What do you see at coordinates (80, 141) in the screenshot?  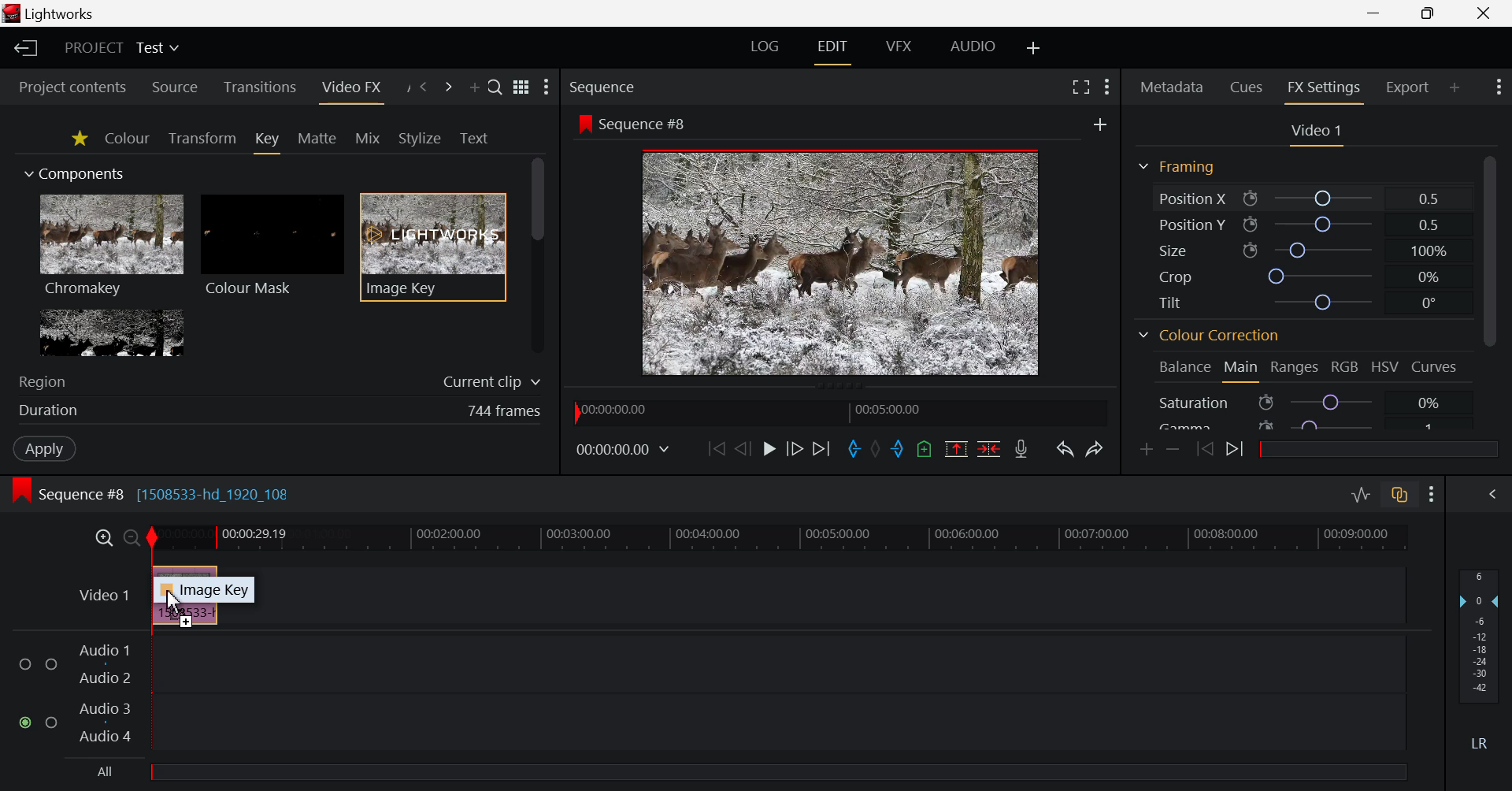 I see `Favorites` at bounding box center [80, 141].